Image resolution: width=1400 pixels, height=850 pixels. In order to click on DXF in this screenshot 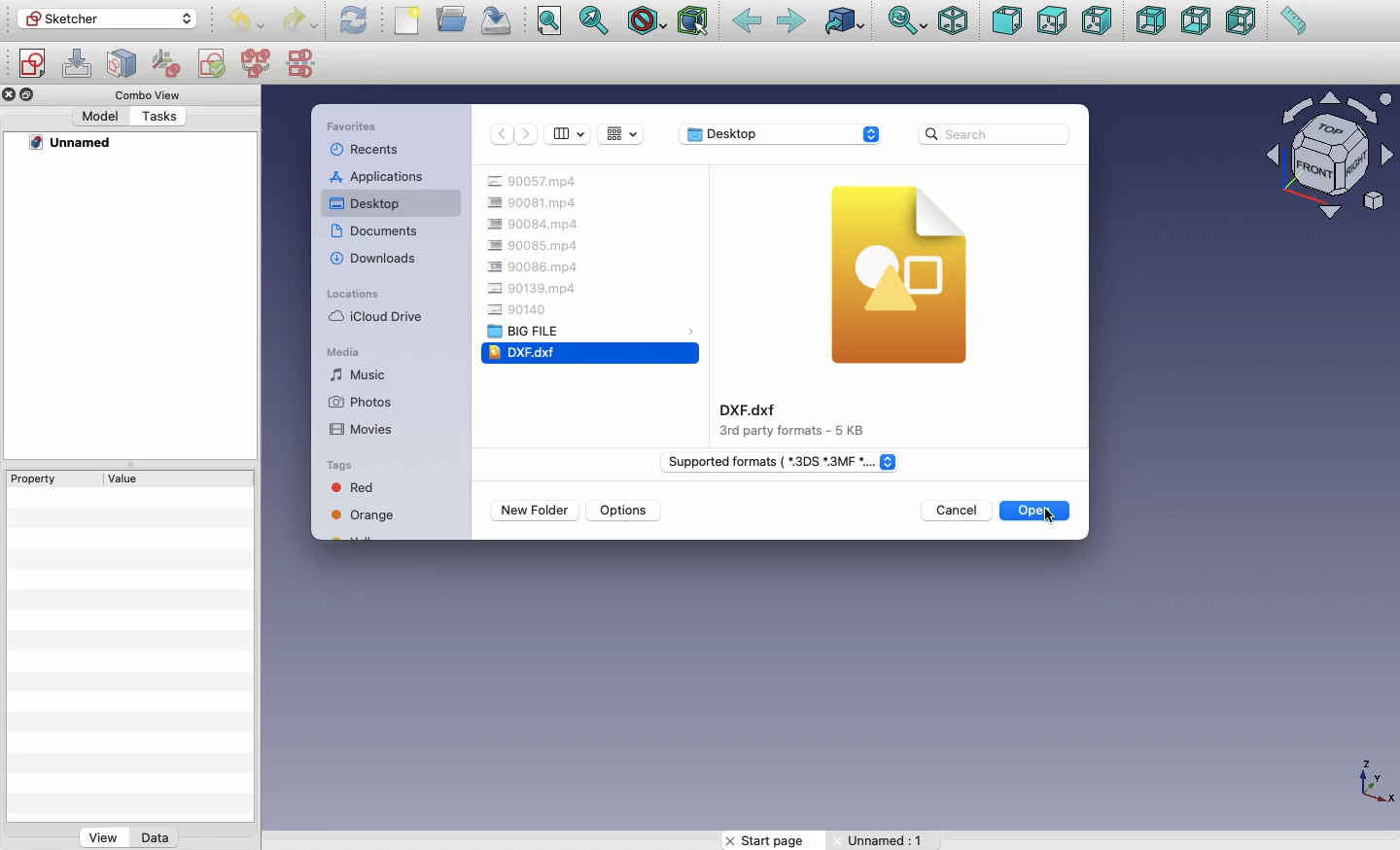, I will do `click(522, 351)`.